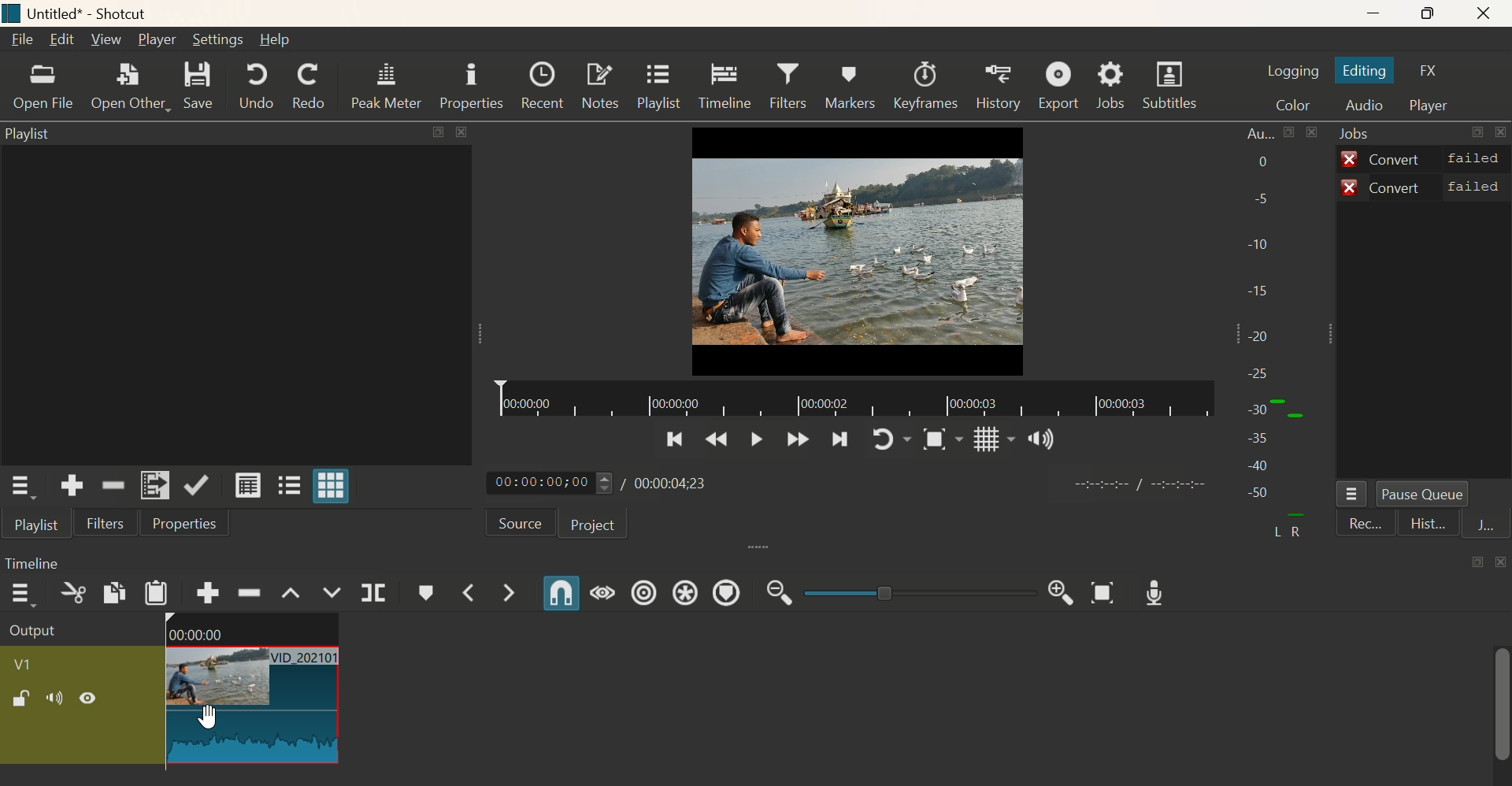  What do you see at coordinates (109, 484) in the screenshot?
I see `` at bounding box center [109, 484].